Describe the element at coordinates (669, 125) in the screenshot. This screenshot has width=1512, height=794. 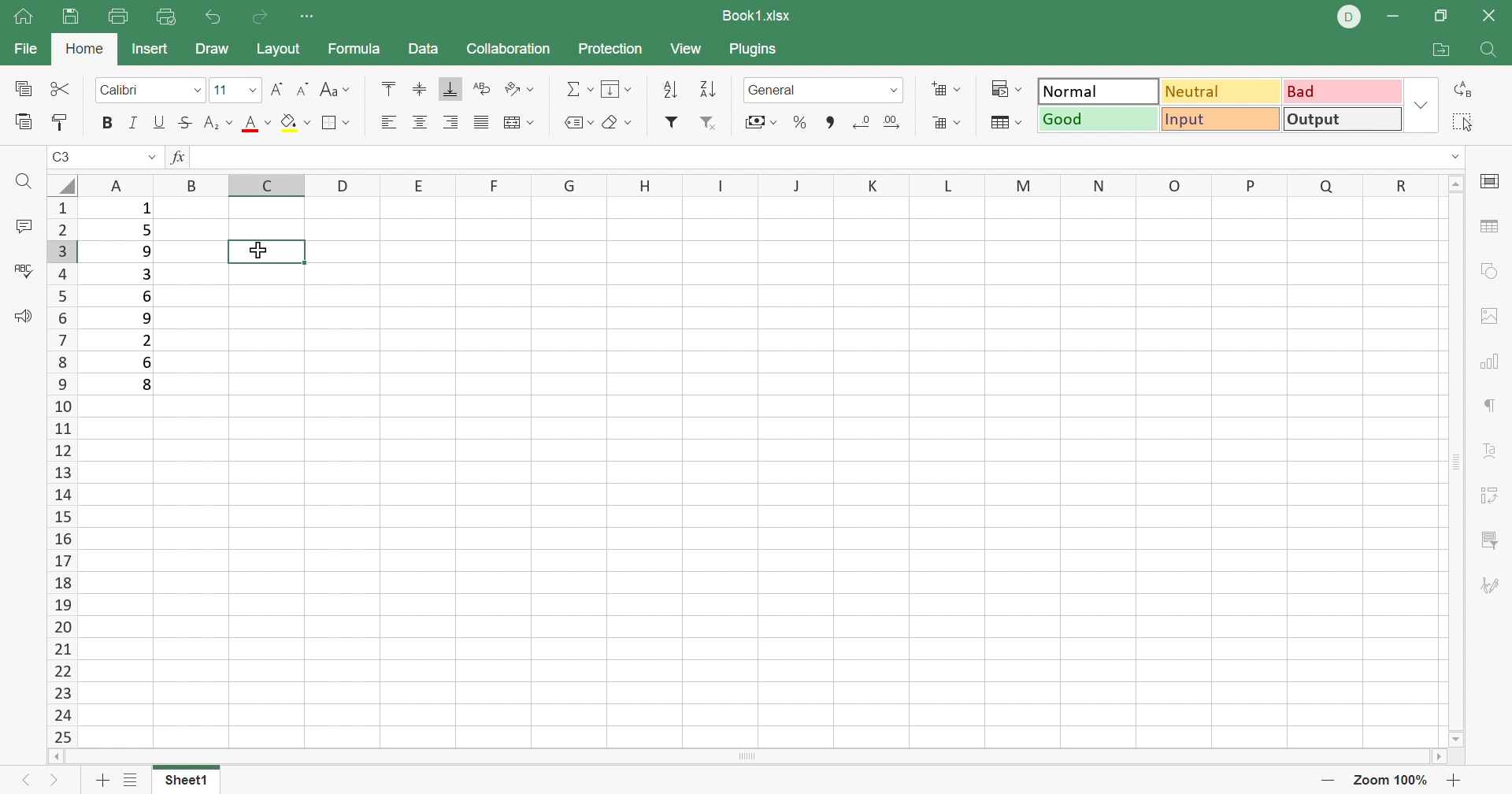
I see `Filter` at that location.